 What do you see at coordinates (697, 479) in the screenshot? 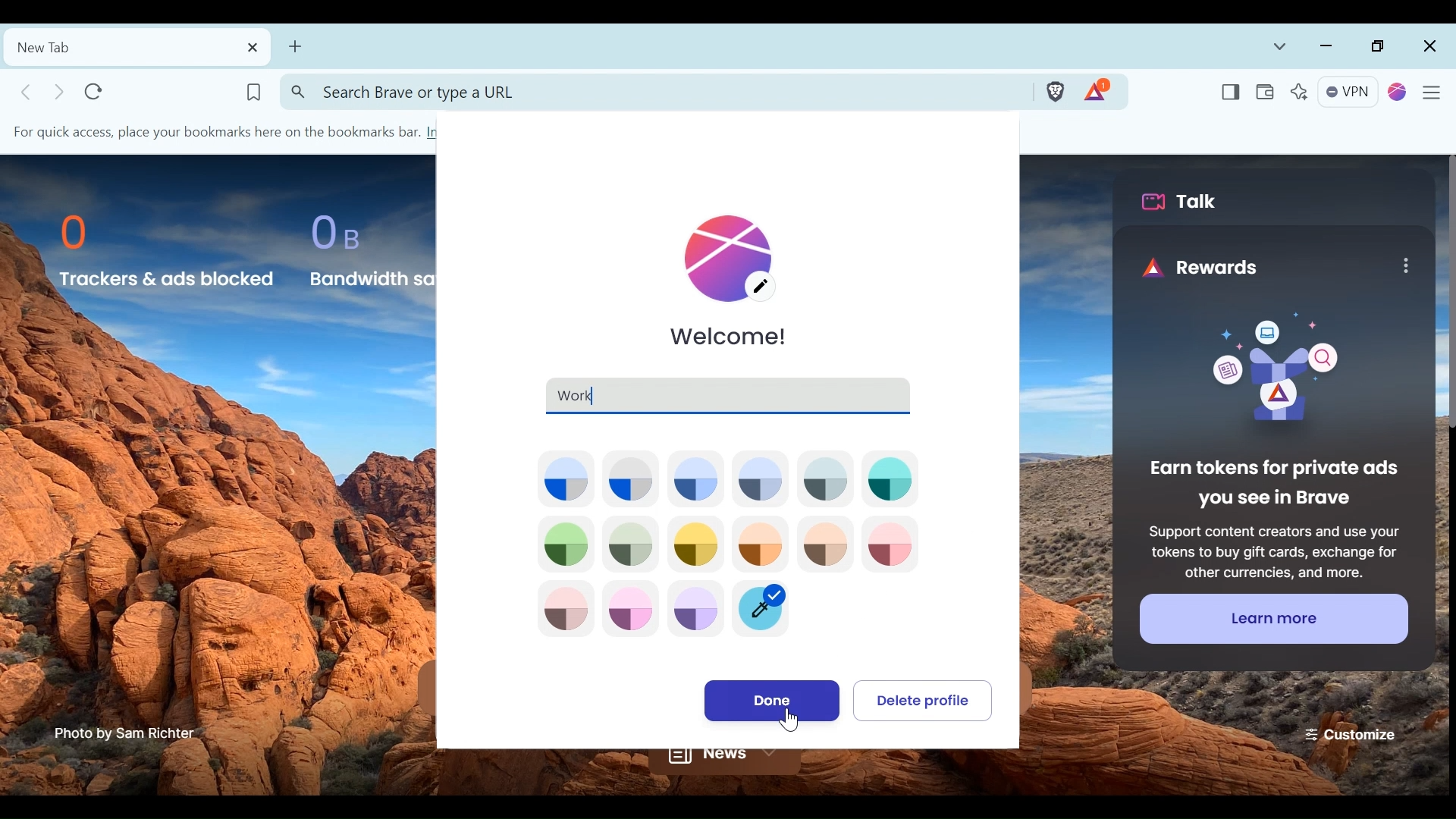
I see `Theme` at bounding box center [697, 479].